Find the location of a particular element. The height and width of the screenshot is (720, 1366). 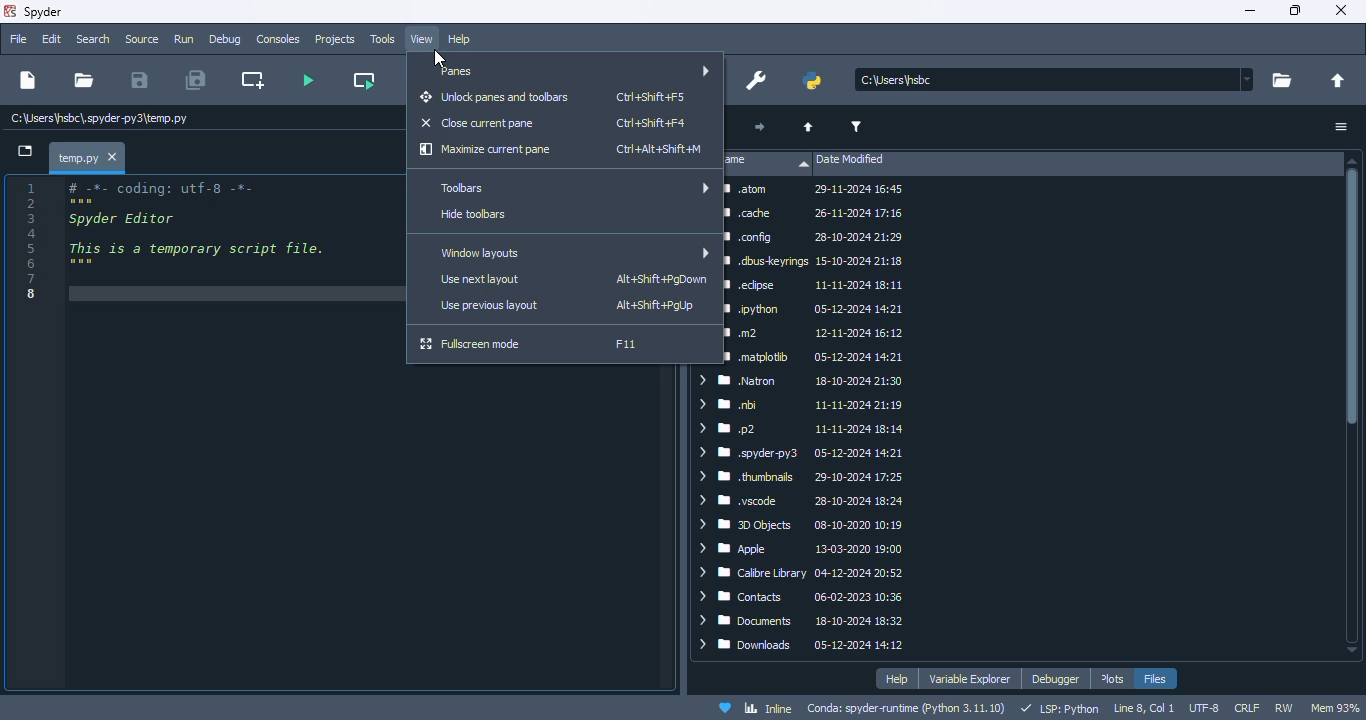

UTF-8 is located at coordinates (1203, 709).